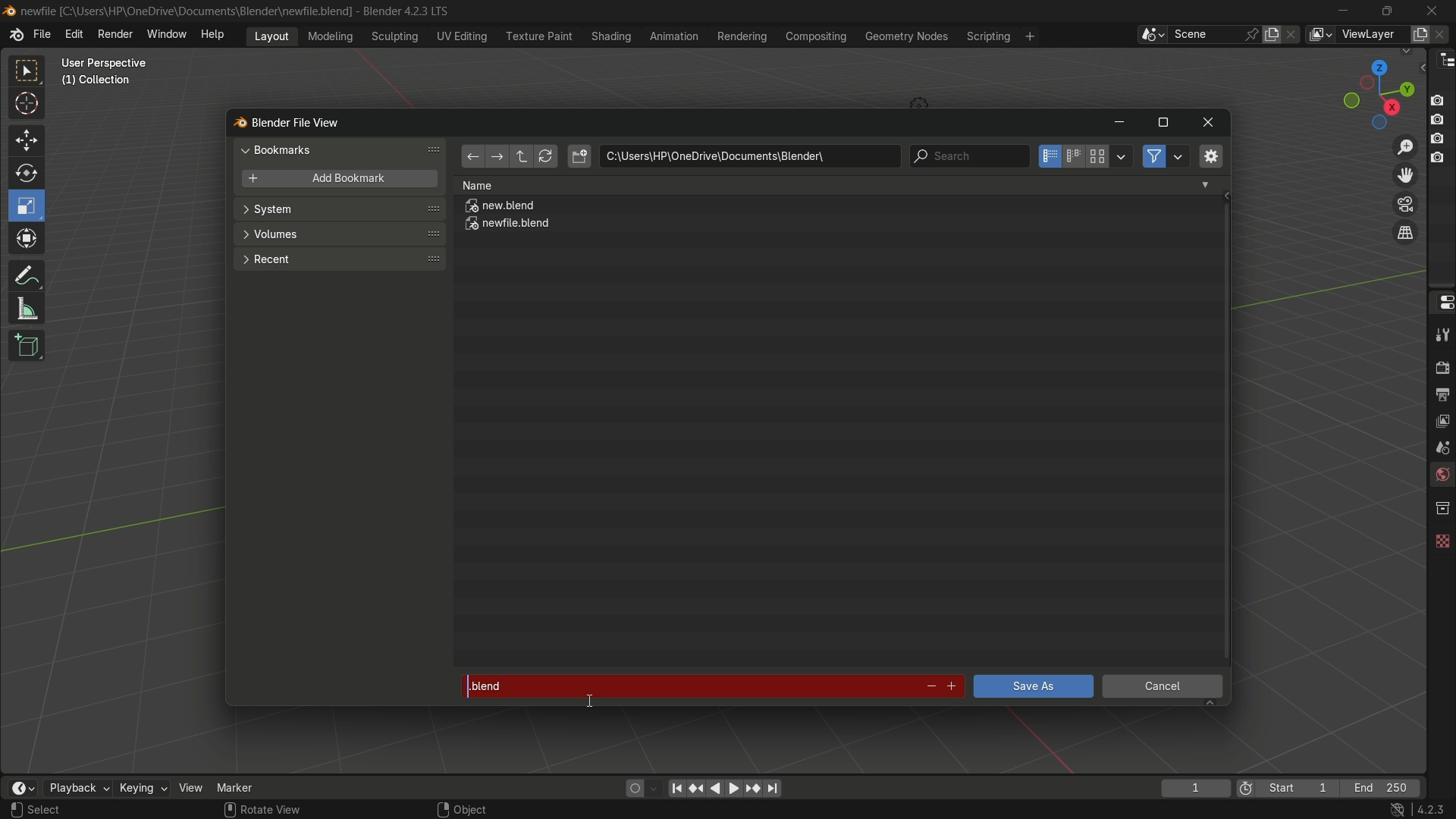 This screenshot has width=1456, height=819. What do you see at coordinates (74, 34) in the screenshot?
I see `edit menu` at bounding box center [74, 34].